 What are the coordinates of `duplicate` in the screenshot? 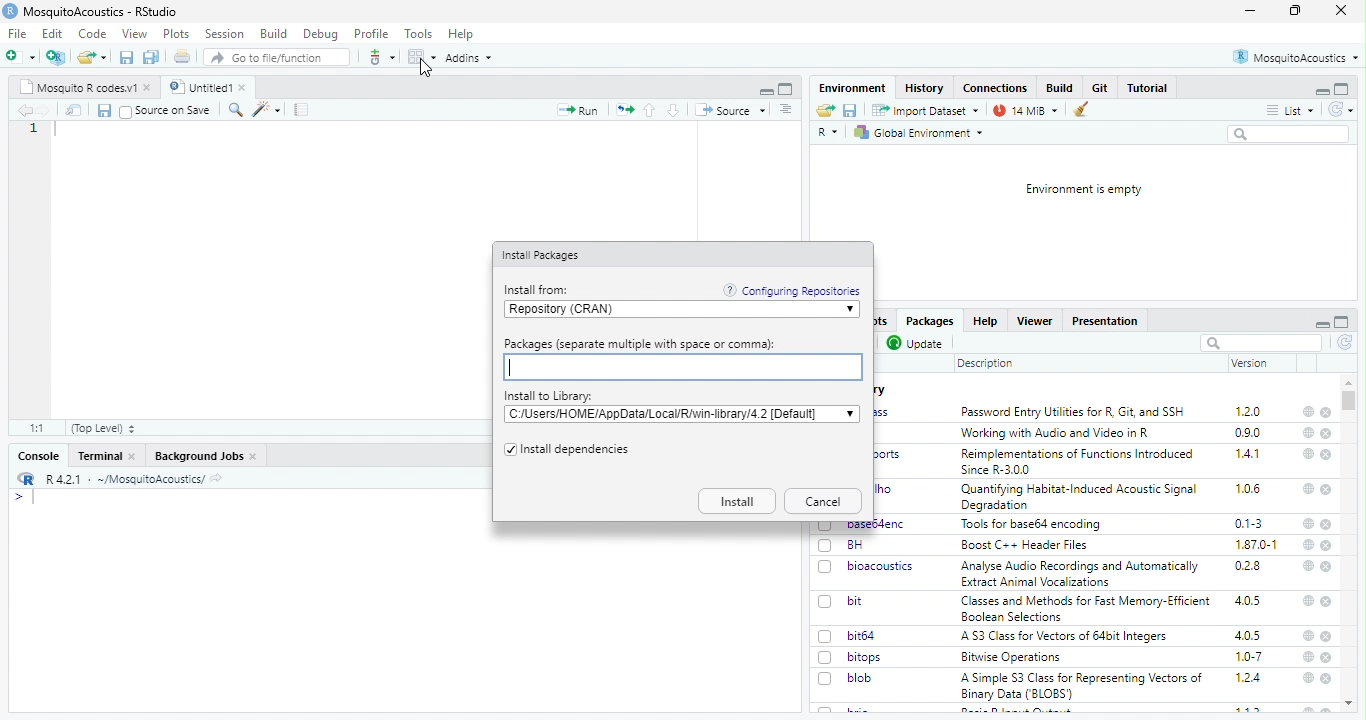 It's located at (152, 57).